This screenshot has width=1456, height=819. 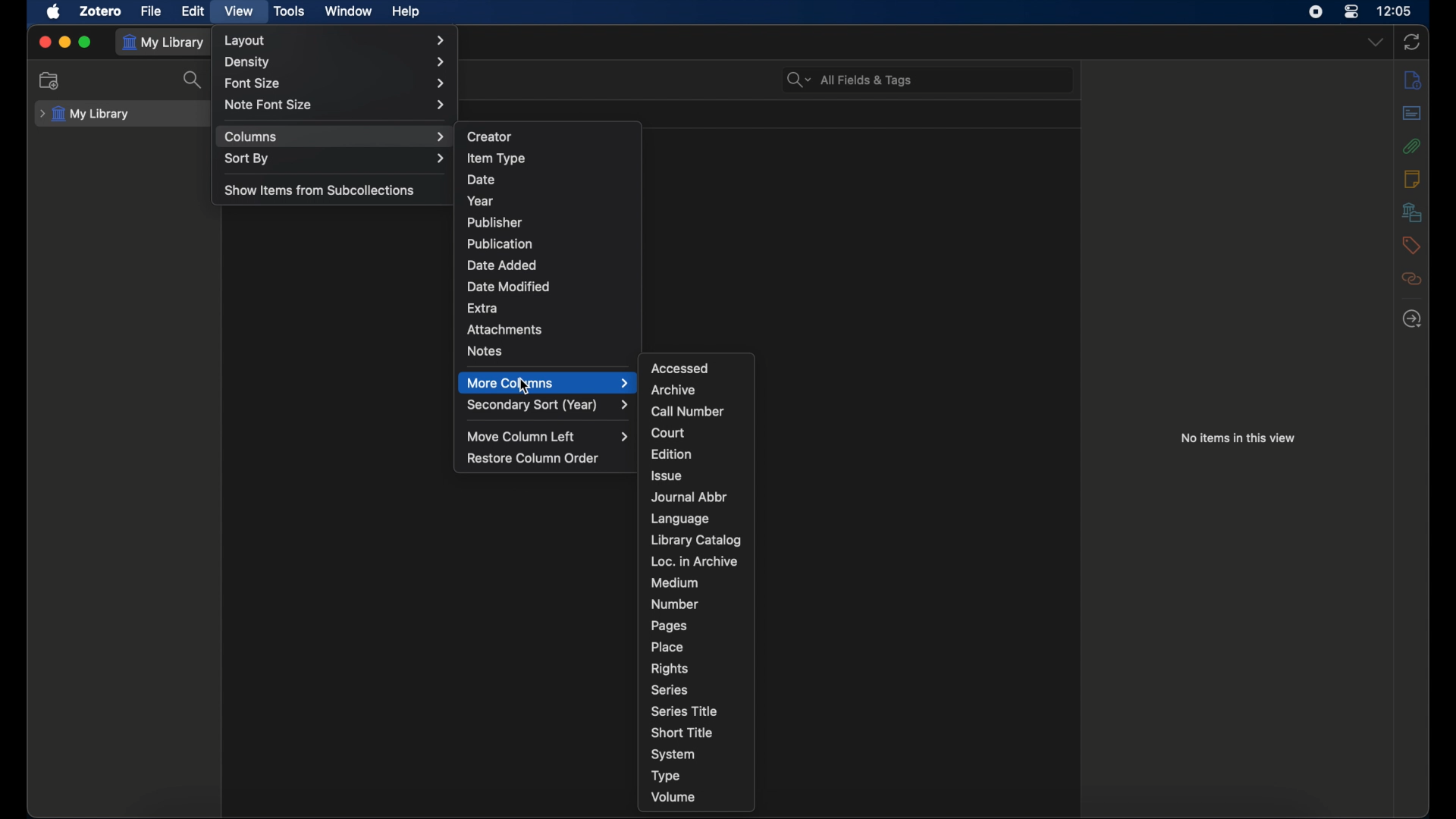 What do you see at coordinates (850, 80) in the screenshot?
I see `search bar` at bounding box center [850, 80].